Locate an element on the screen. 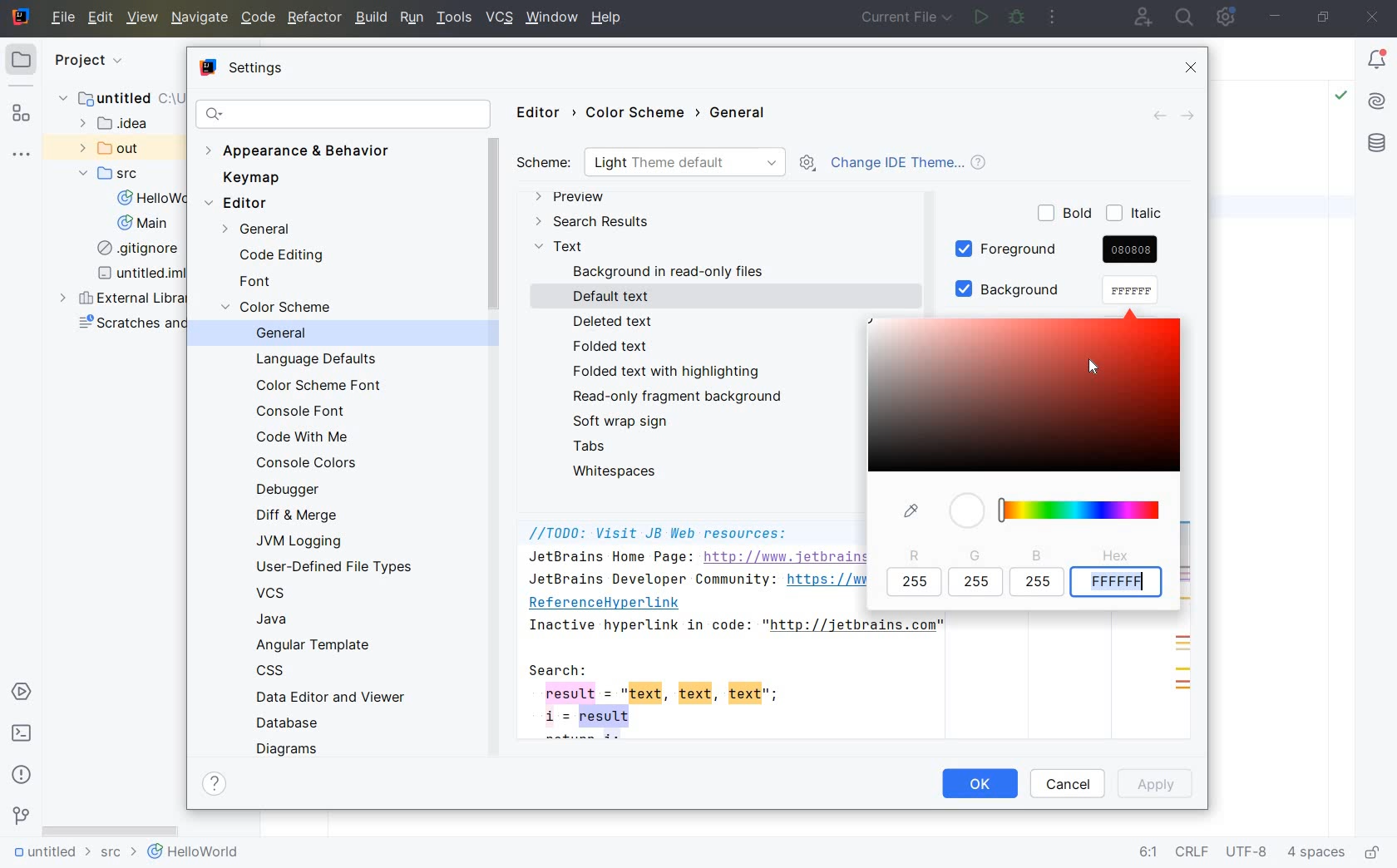  helloworld is located at coordinates (193, 855).